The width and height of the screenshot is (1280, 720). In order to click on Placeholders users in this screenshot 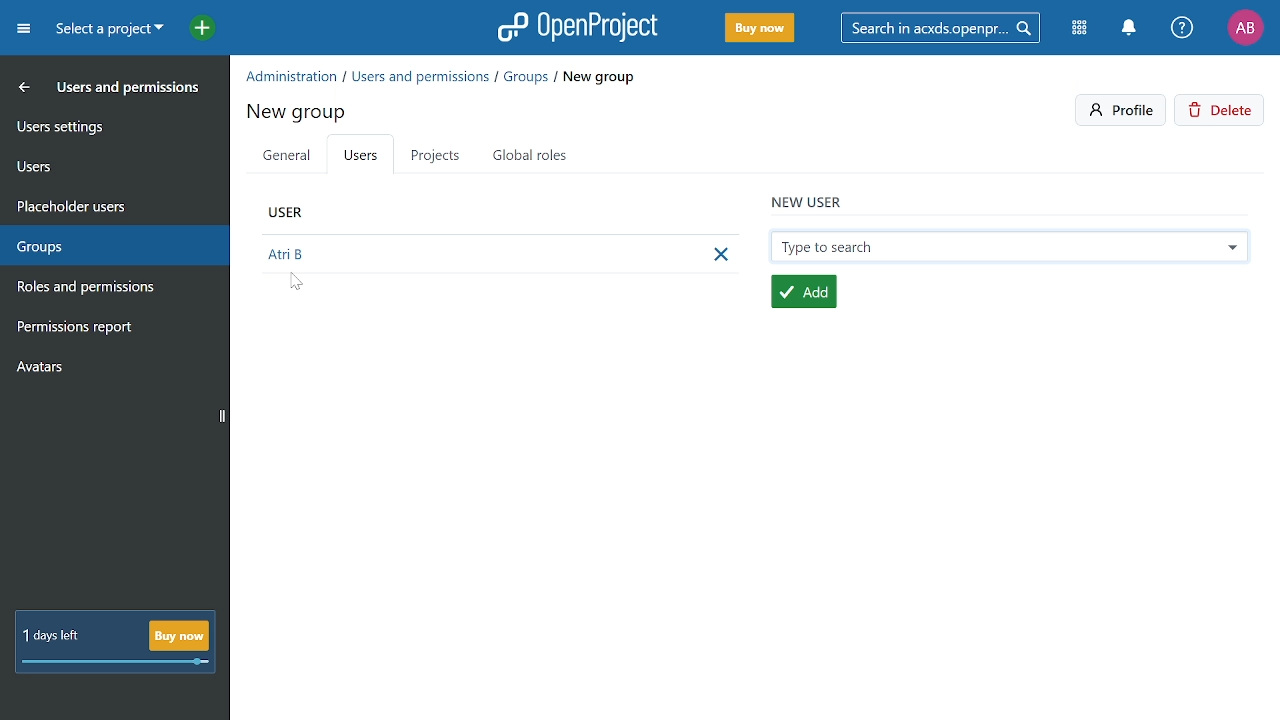, I will do `click(112, 204)`.